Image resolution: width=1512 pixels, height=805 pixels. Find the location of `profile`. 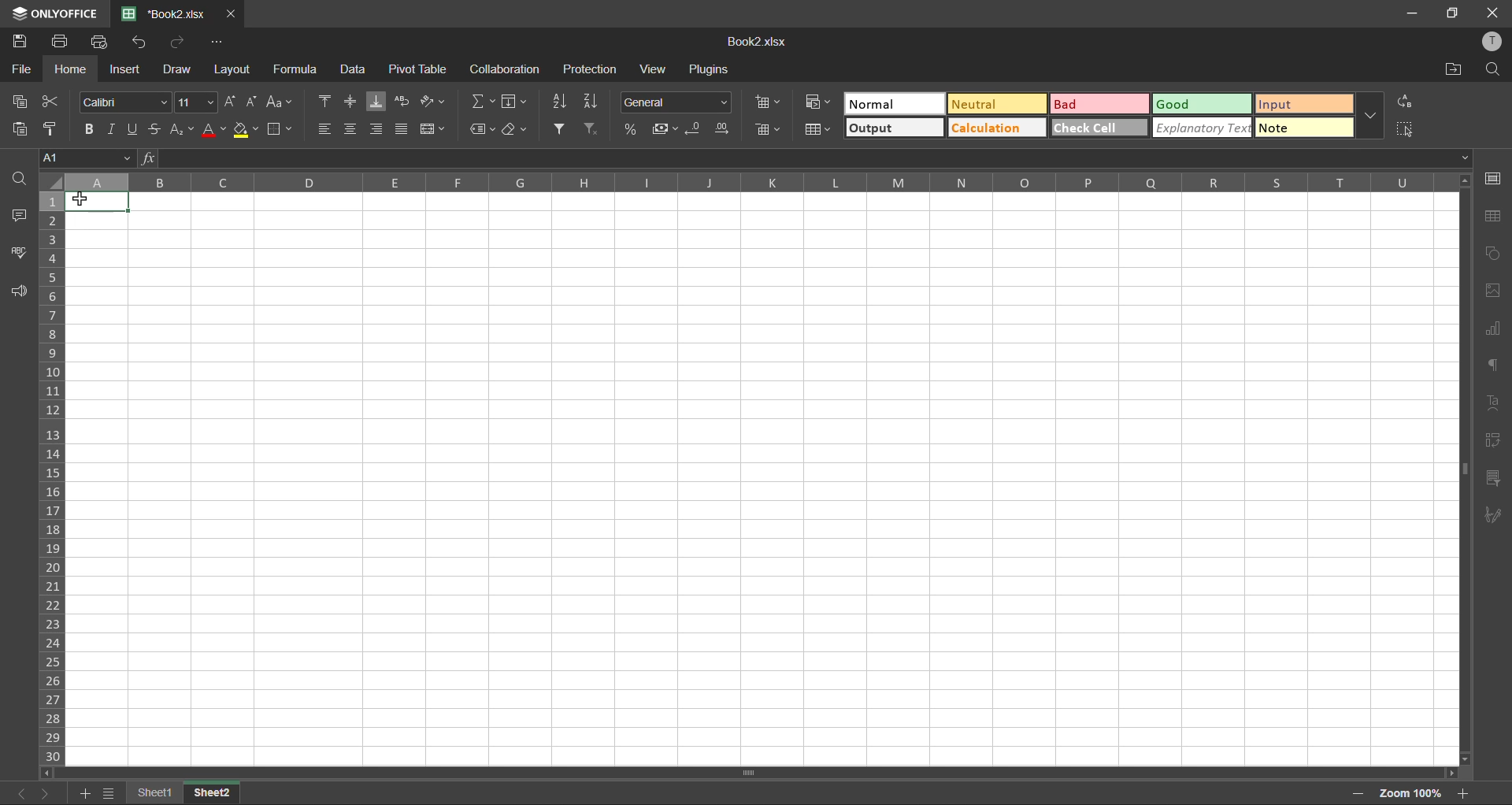

profile is located at coordinates (1495, 43).